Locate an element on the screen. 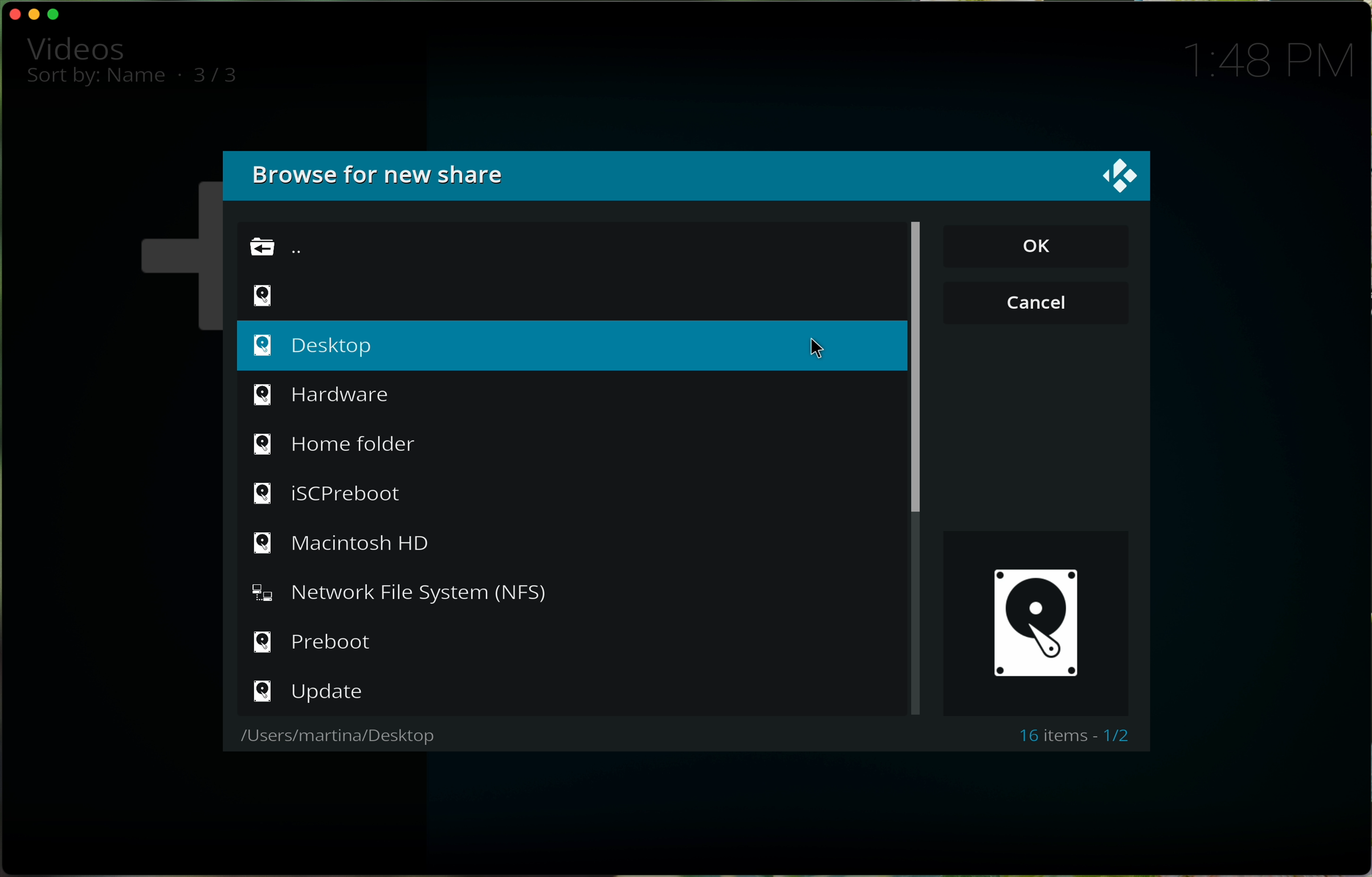 Image resolution: width=1372 pixels, height=877 pixels. close is located at coordinates (12, 14).